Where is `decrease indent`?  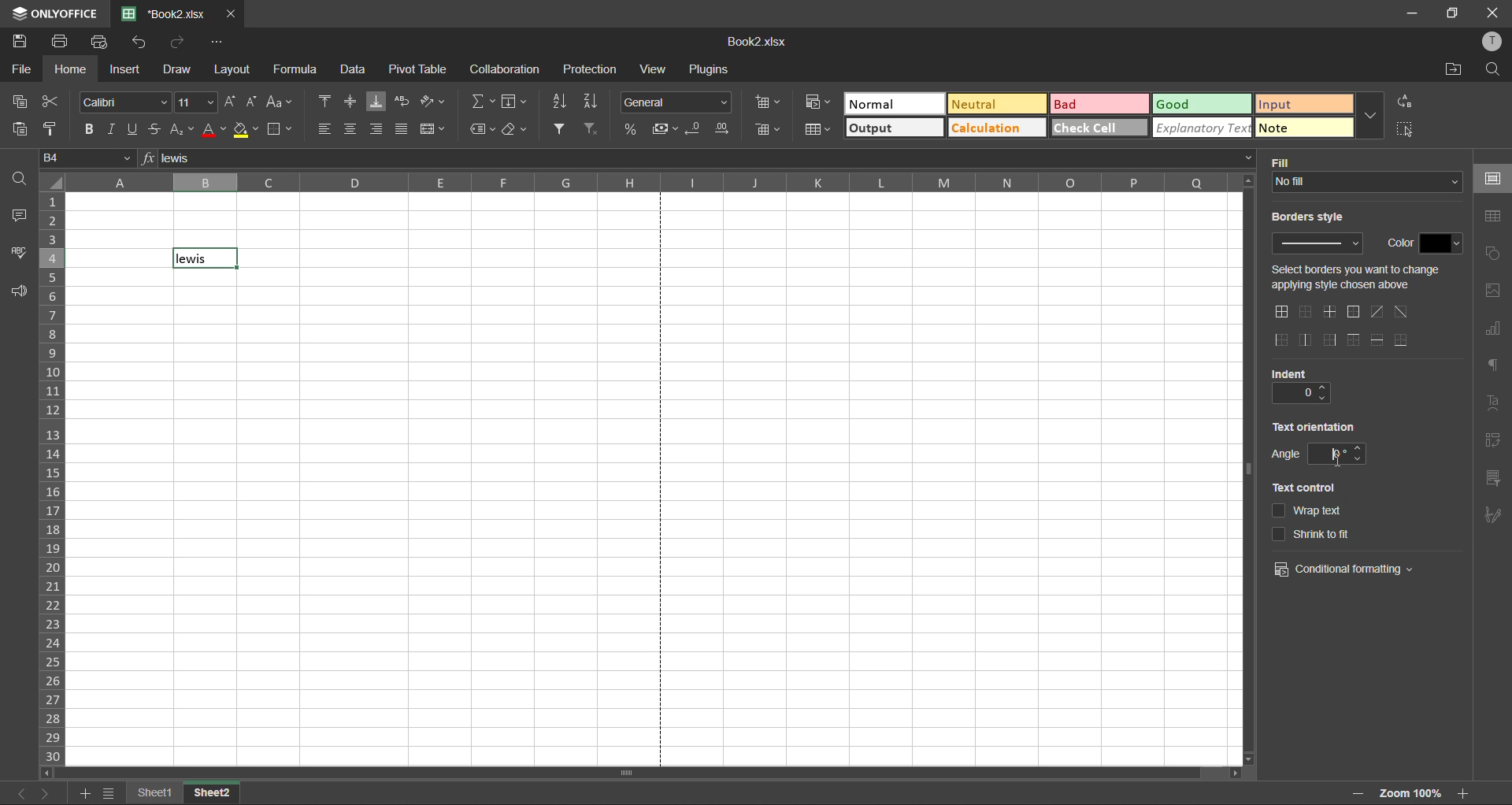 decrease indent is located at coordinates (1327, 399).